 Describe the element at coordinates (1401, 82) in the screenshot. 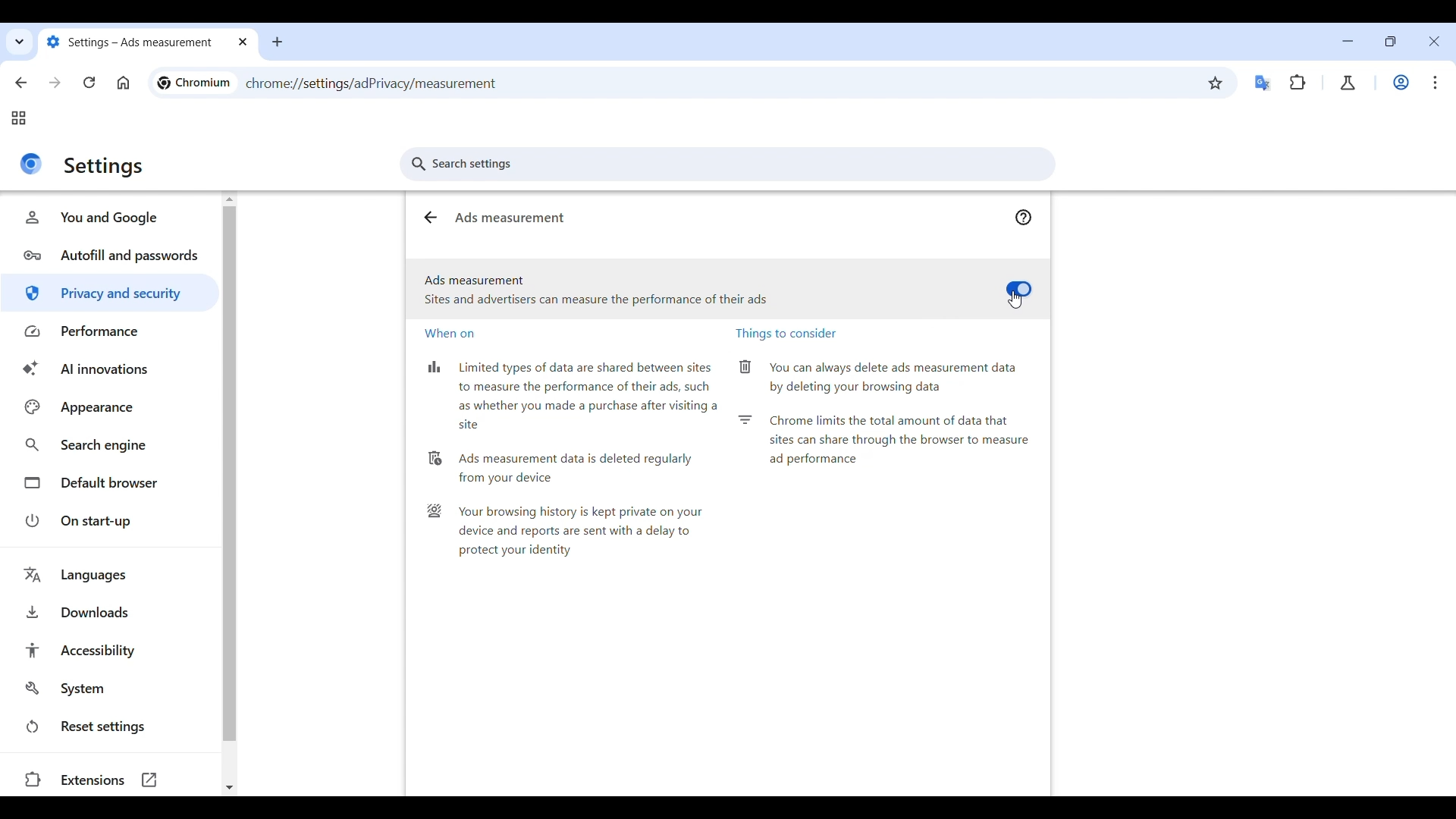

I see `Work` at that location.